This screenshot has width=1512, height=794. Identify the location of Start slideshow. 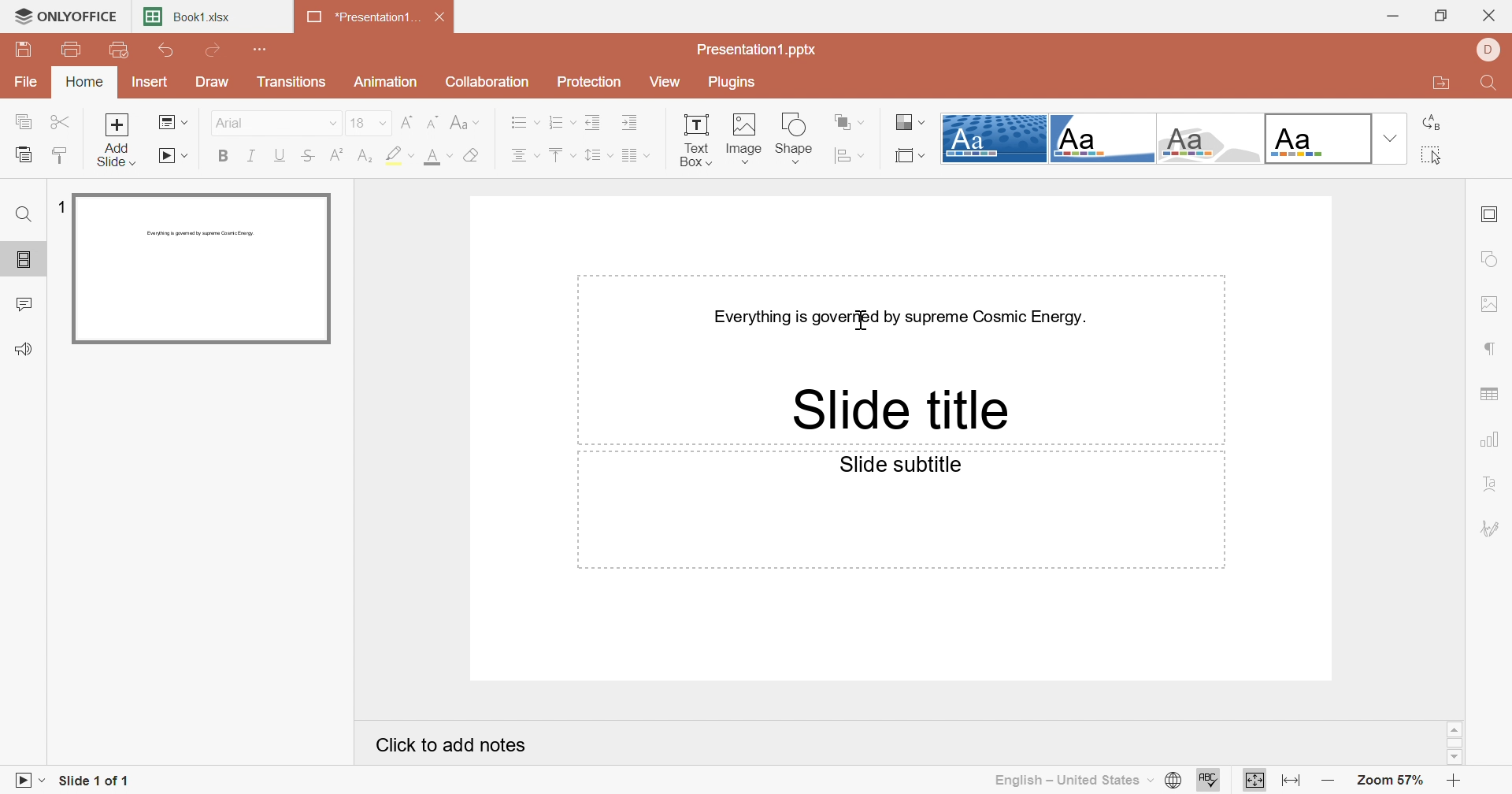
(172, 154).